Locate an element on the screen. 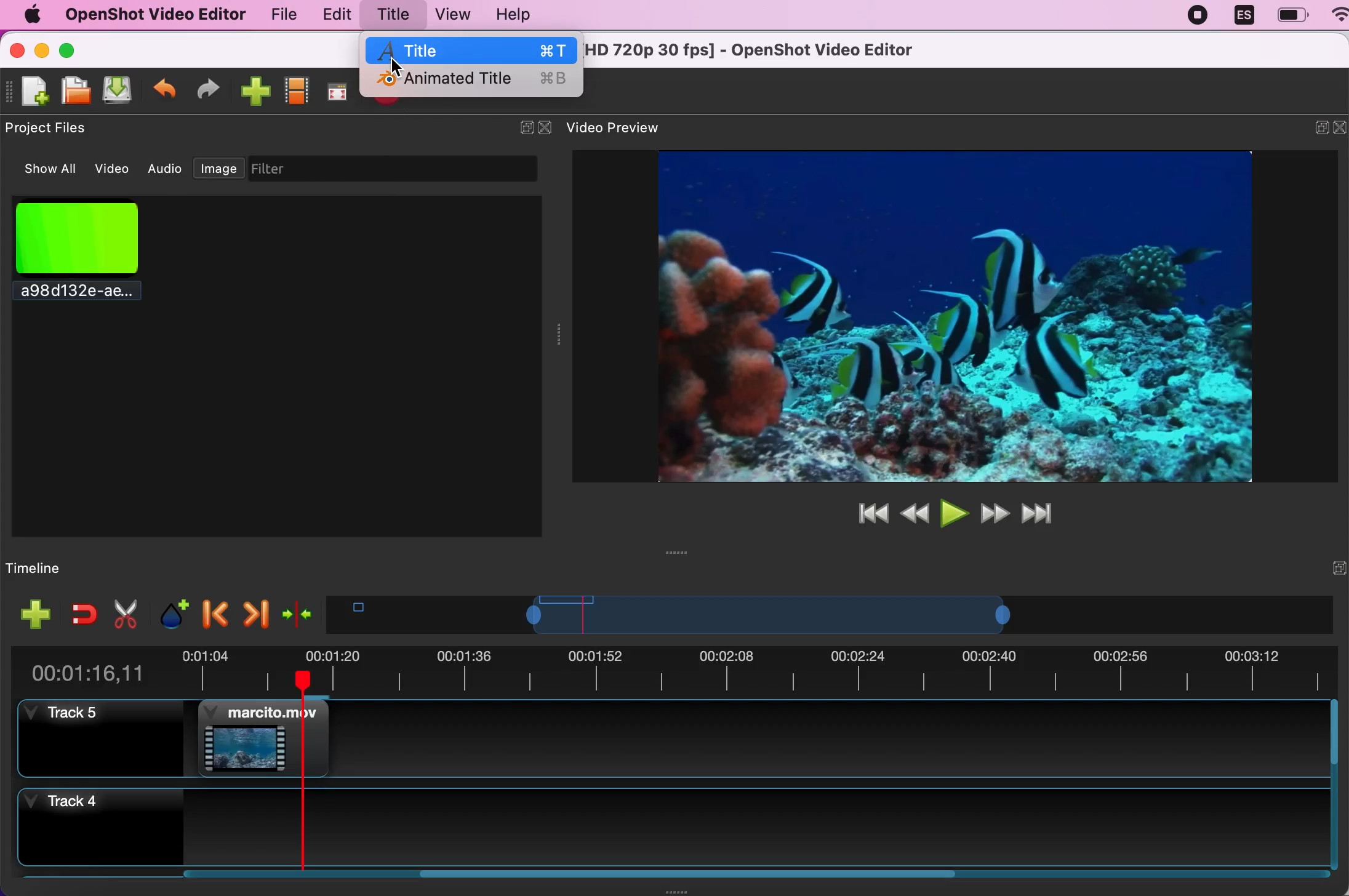 This screenshot has height=896, width=1349. help is located at coordinates (524, 15).